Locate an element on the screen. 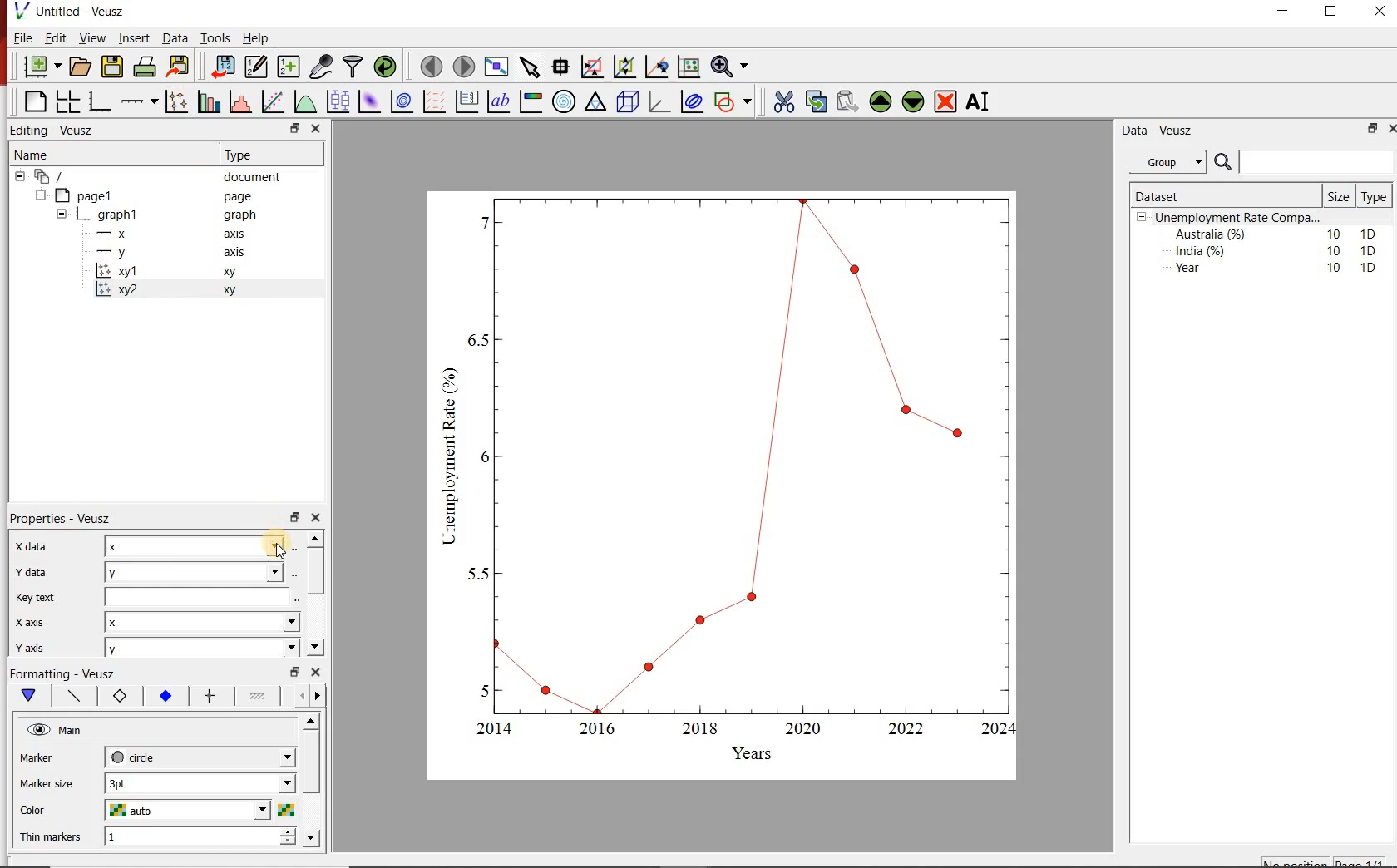 The height and width of the screenshot is (868, 1397). Formatting - Veusz is located at coordinates (62, 672).